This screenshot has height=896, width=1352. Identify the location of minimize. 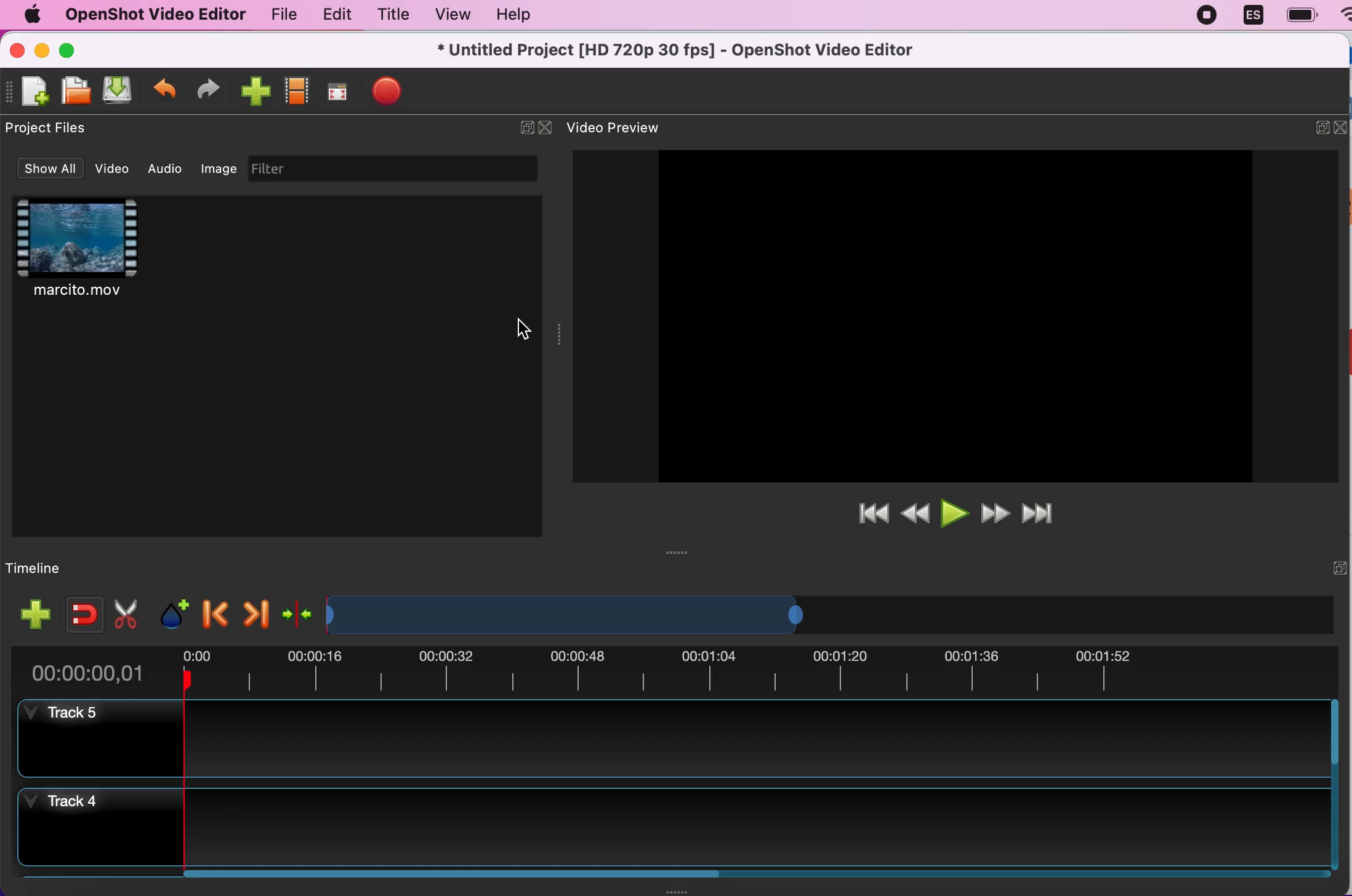
(43, 52).